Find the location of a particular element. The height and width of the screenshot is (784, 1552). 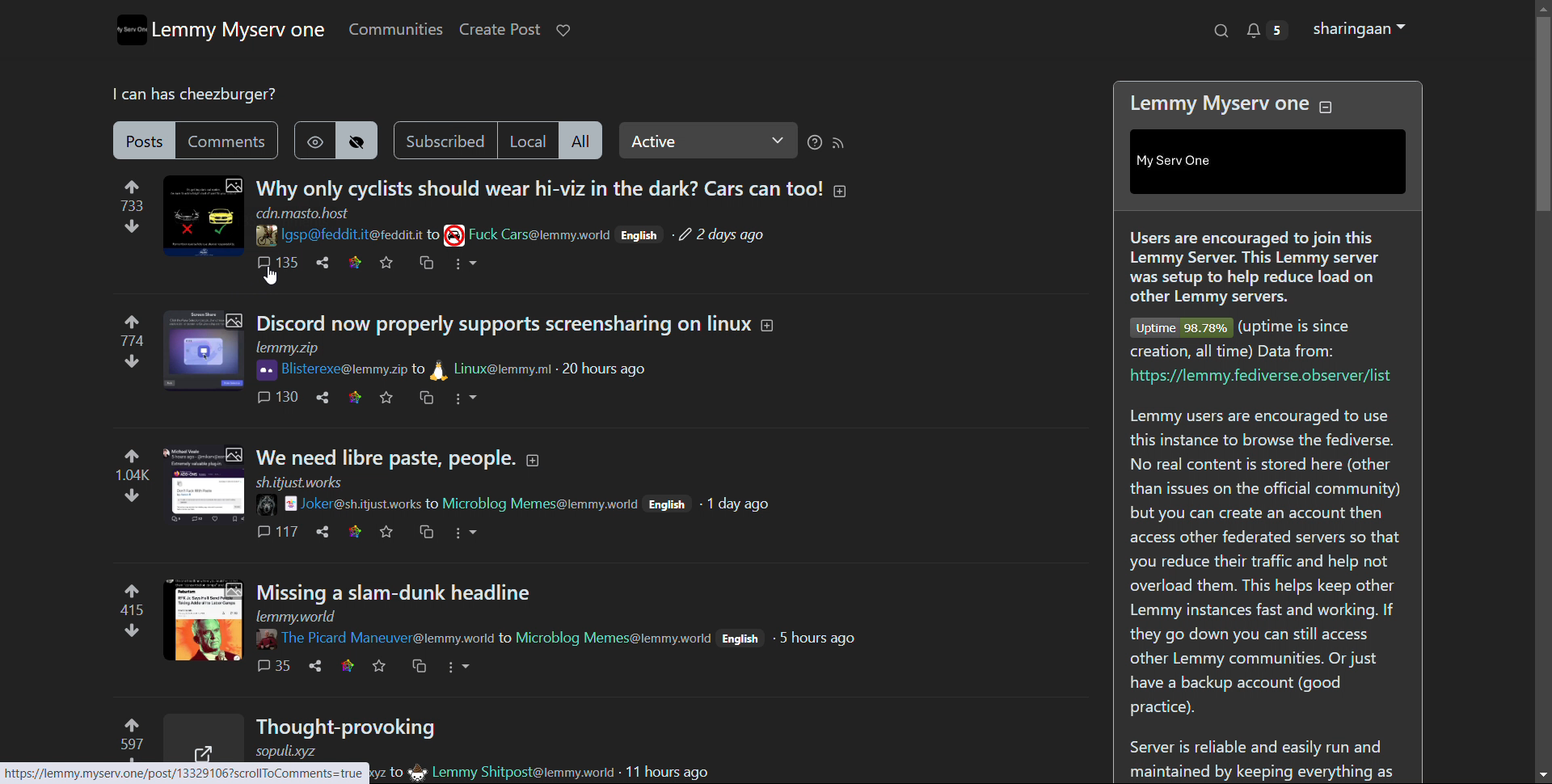

link is located at coordinates (356, 398).